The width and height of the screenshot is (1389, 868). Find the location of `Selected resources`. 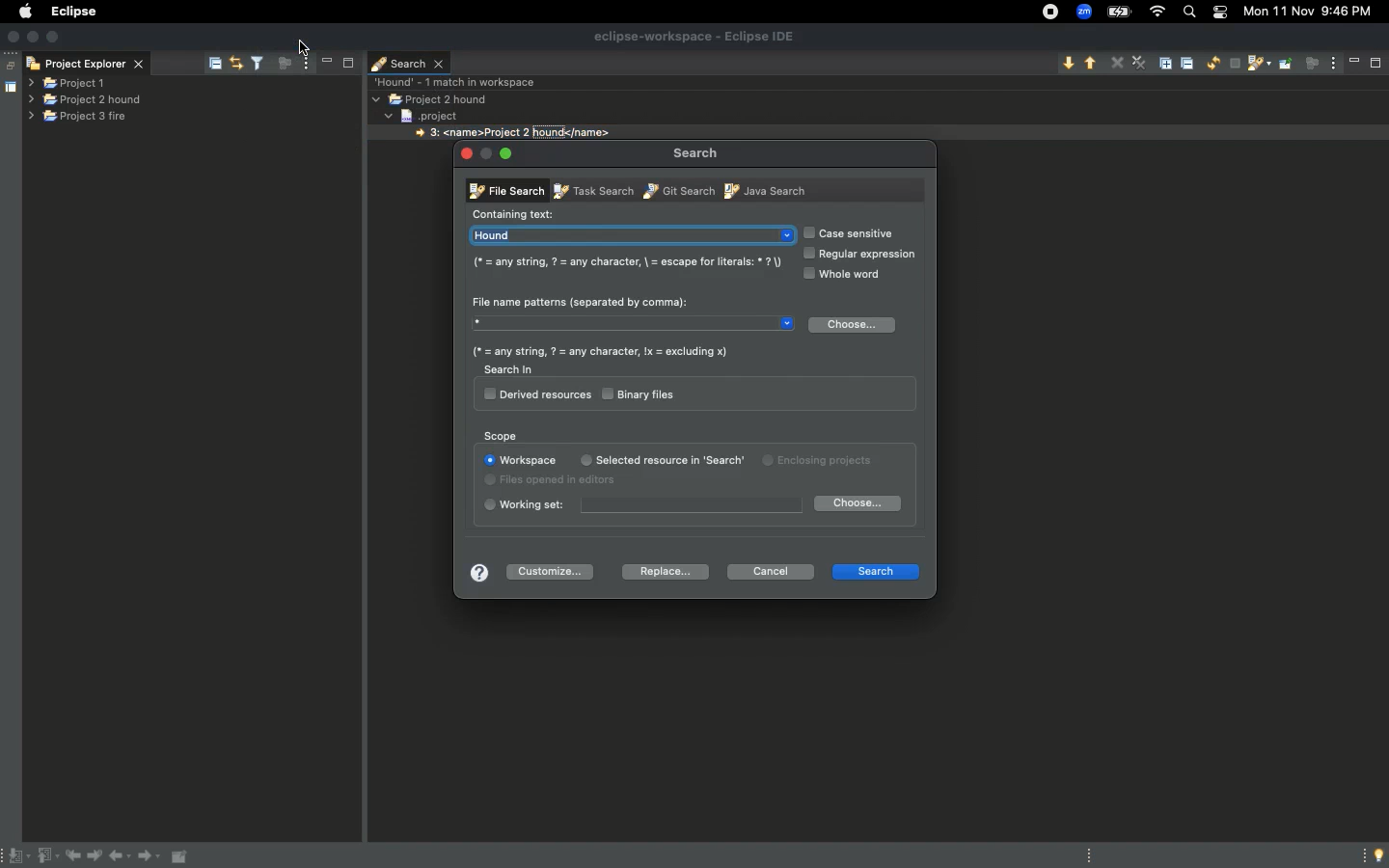

Selected resources is located at coordinates (640, 459).